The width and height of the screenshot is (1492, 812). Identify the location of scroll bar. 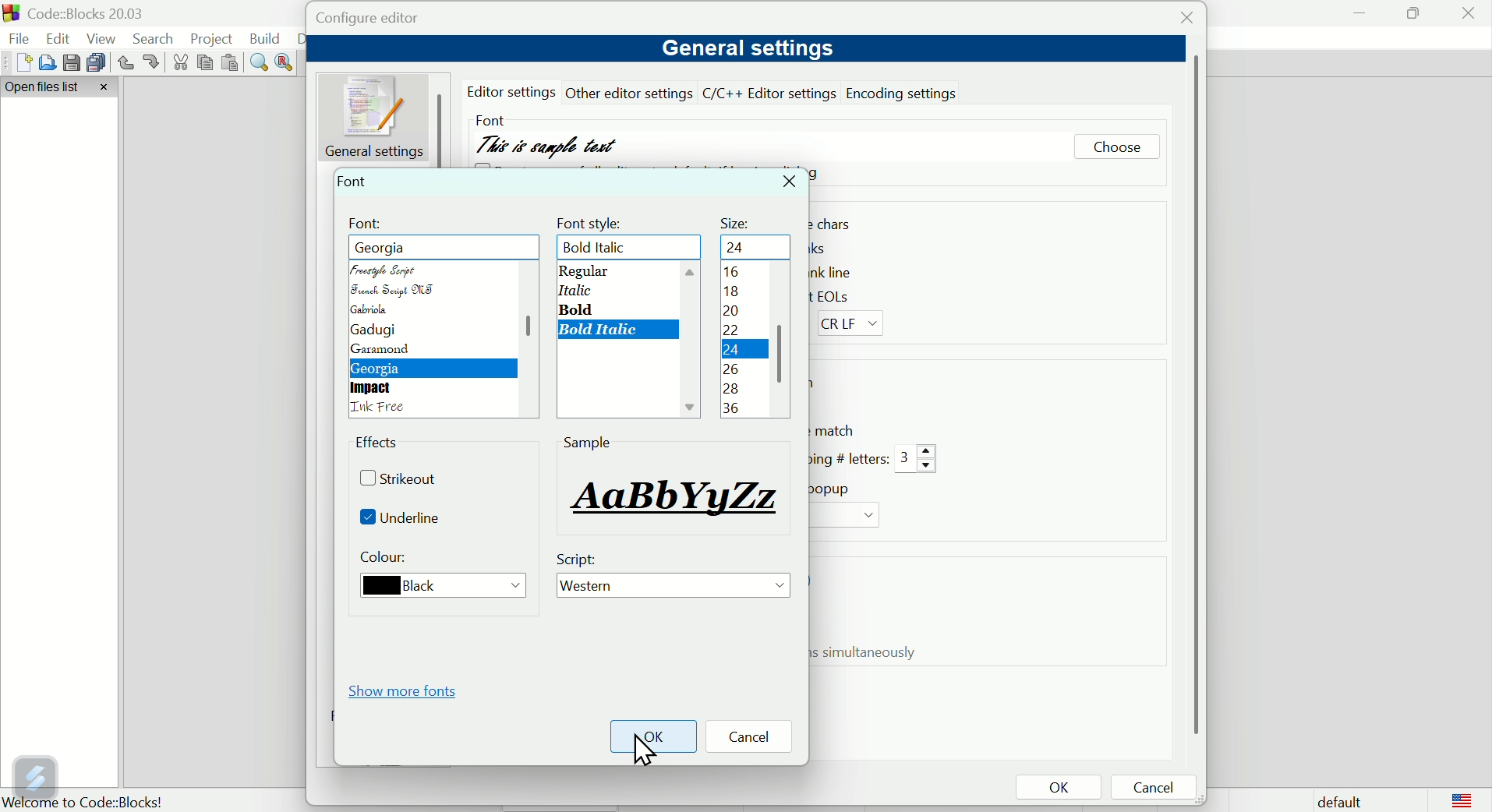
(783, 344).